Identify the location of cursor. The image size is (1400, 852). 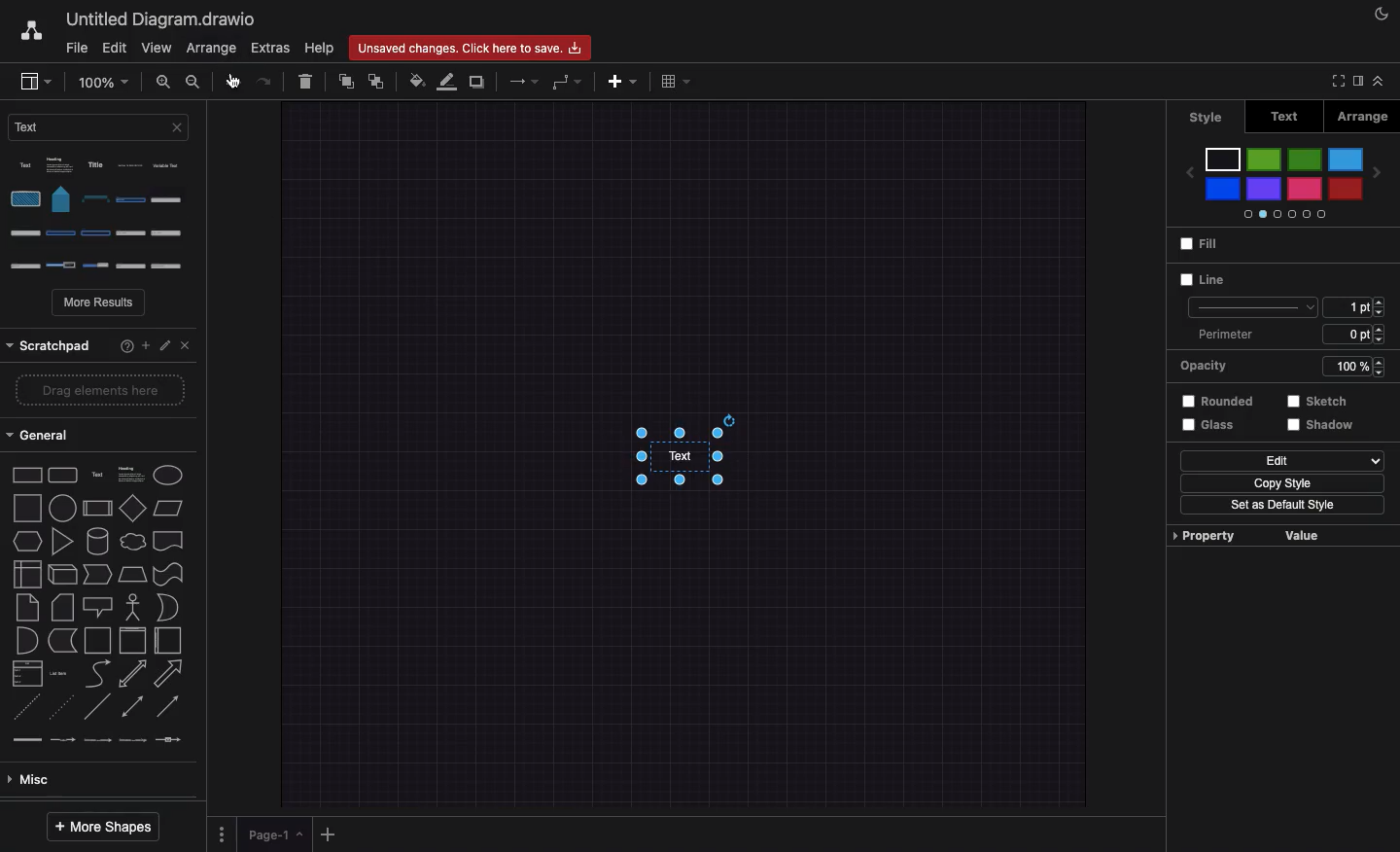
(231, 82).